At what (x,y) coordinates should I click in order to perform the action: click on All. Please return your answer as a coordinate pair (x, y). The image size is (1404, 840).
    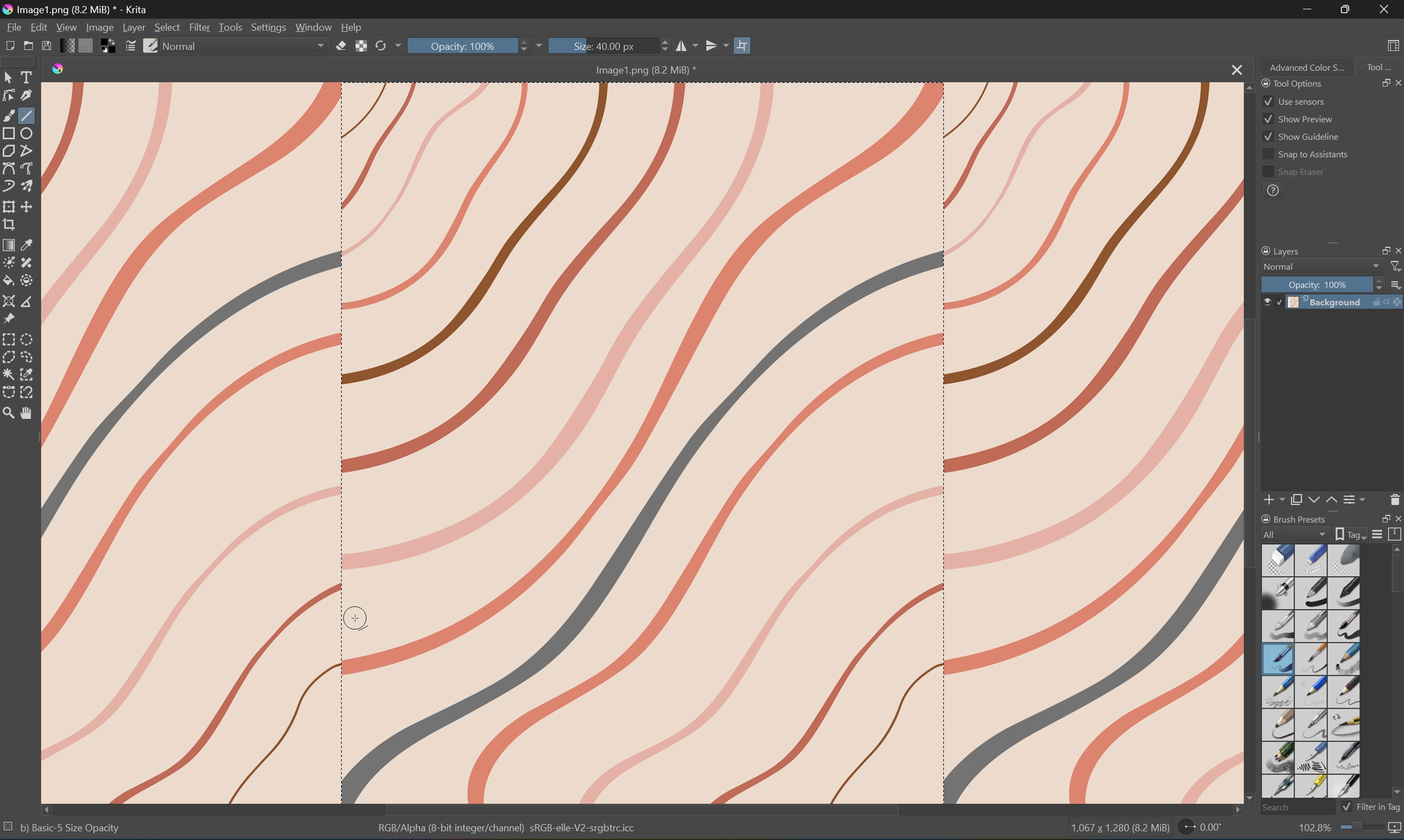
    Looking at the image, I should click on (1295, 533).